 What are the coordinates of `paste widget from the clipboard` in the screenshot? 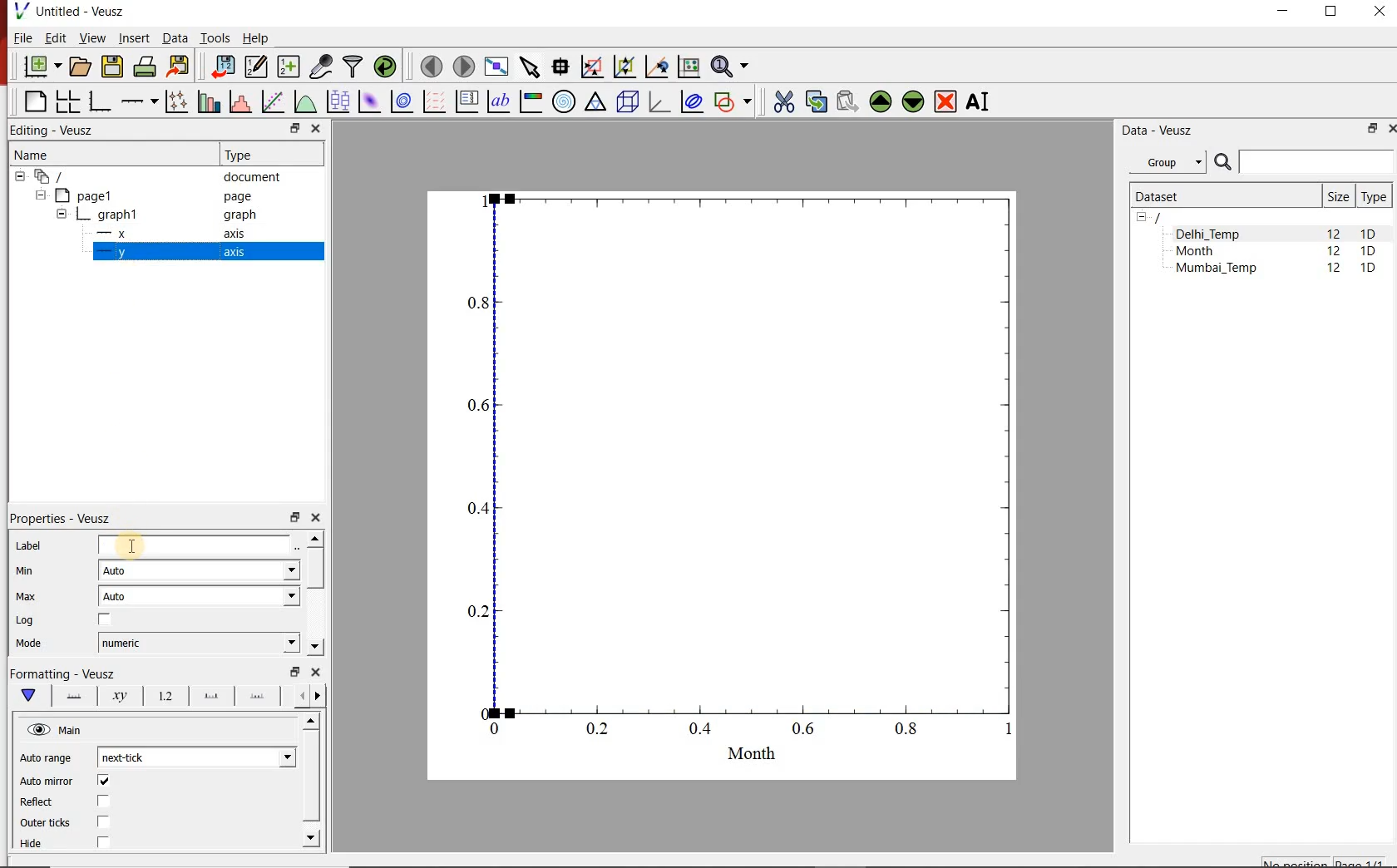 It's located at (848, 101).